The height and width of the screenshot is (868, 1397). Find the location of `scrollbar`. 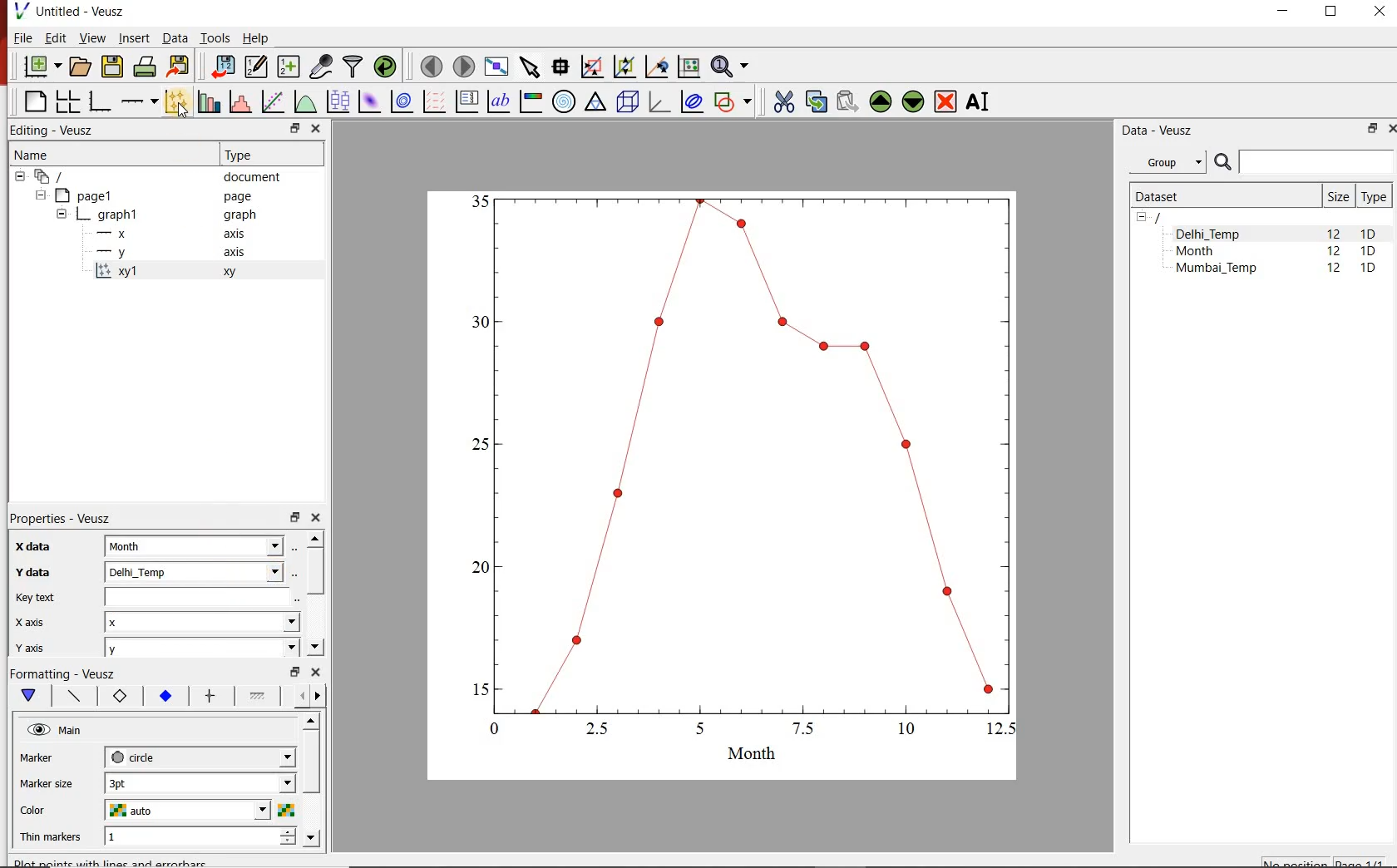

scrollbar is located at coordinates (313, 782).